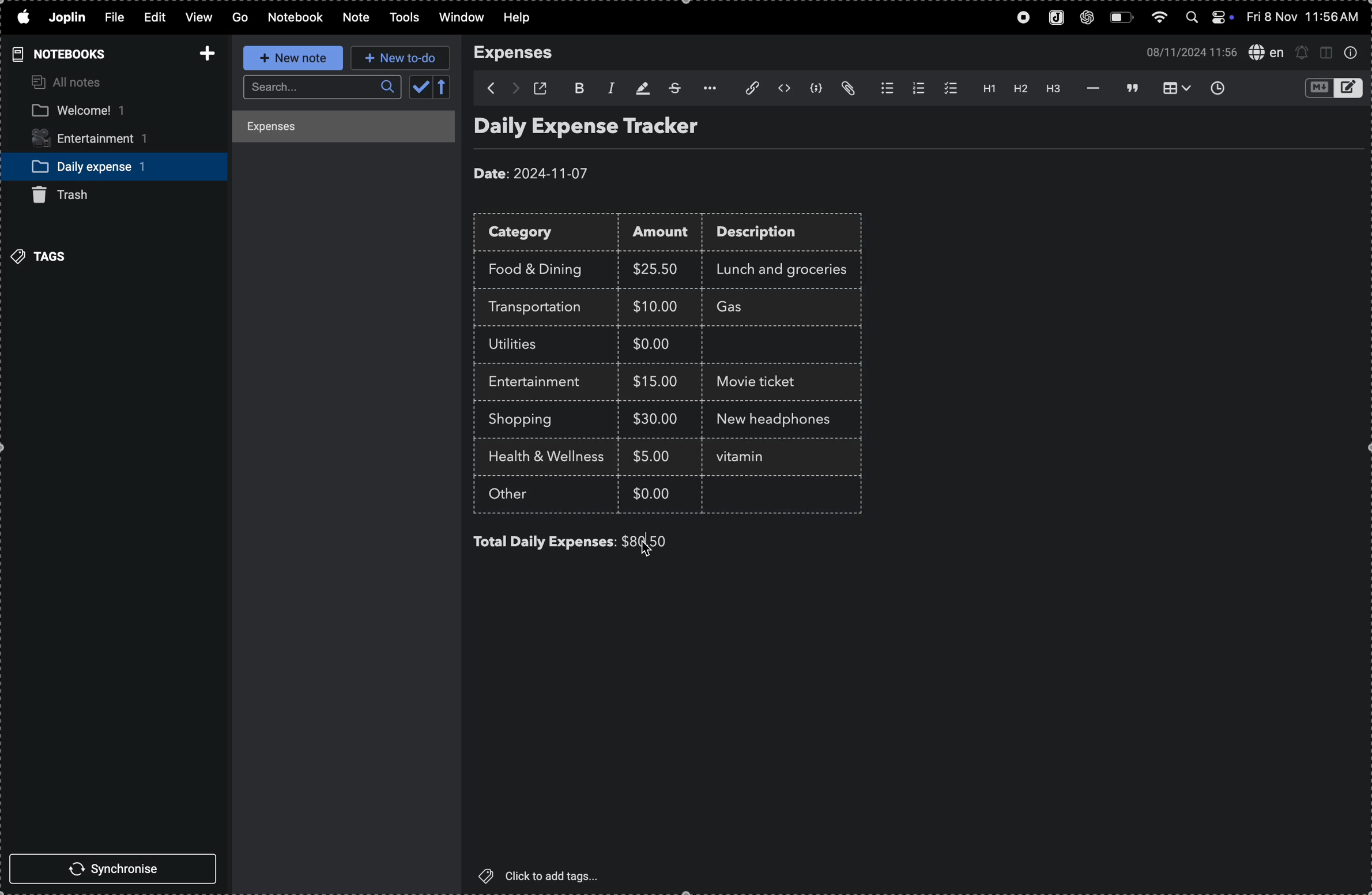 This screenshot has width=1372, height=895. Describe the element at coordinates (401, 58) in the screenshot. I see `new to do` at that location.